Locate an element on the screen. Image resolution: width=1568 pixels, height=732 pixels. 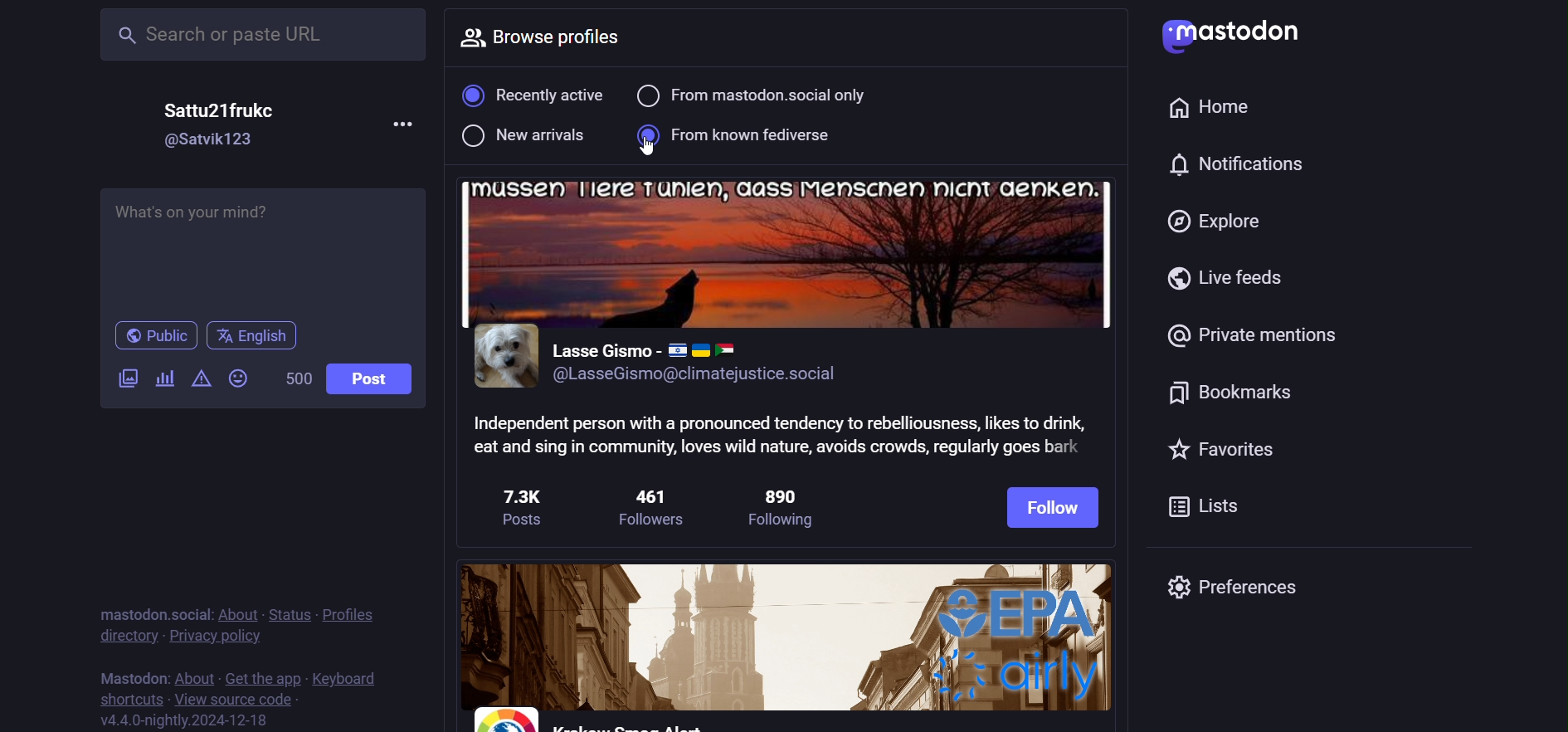
get the app is located at coordinates (262, 675).